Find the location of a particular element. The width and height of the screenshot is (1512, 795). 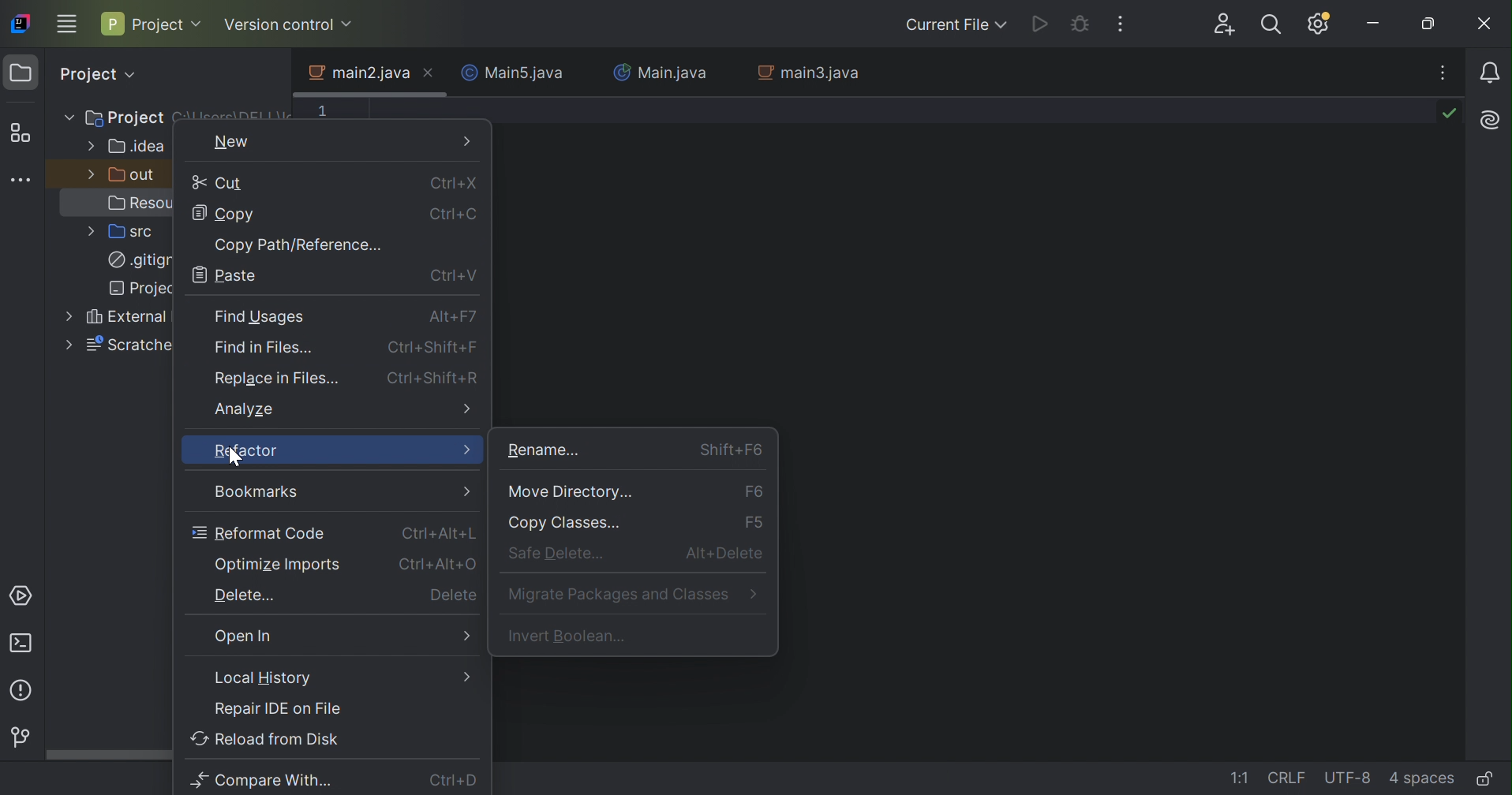

Shift F6 is located at coordinates (733, 450).